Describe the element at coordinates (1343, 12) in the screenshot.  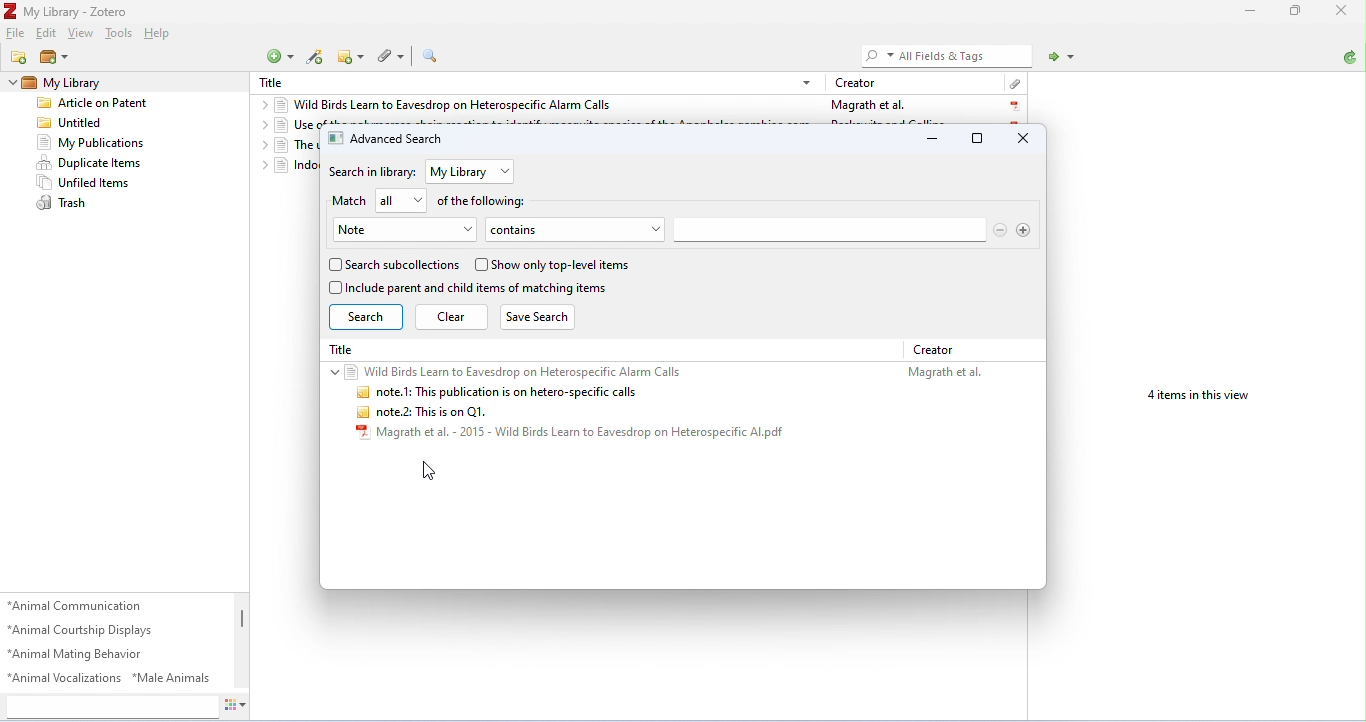
I see `close` at that location.